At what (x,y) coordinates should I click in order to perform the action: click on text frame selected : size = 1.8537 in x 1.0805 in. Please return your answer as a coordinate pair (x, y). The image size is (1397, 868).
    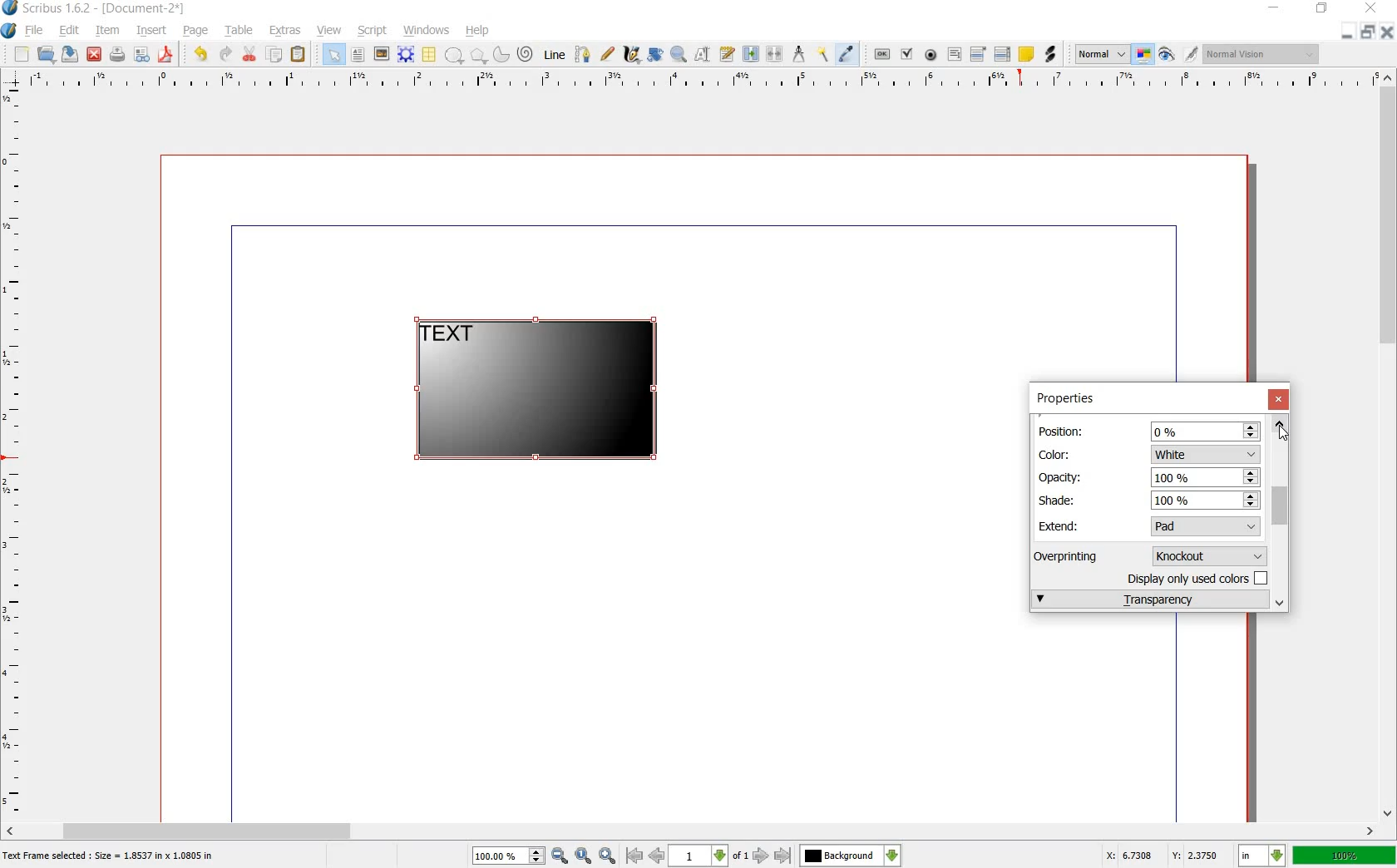
    Looking at the image, I should click on (111, 857).